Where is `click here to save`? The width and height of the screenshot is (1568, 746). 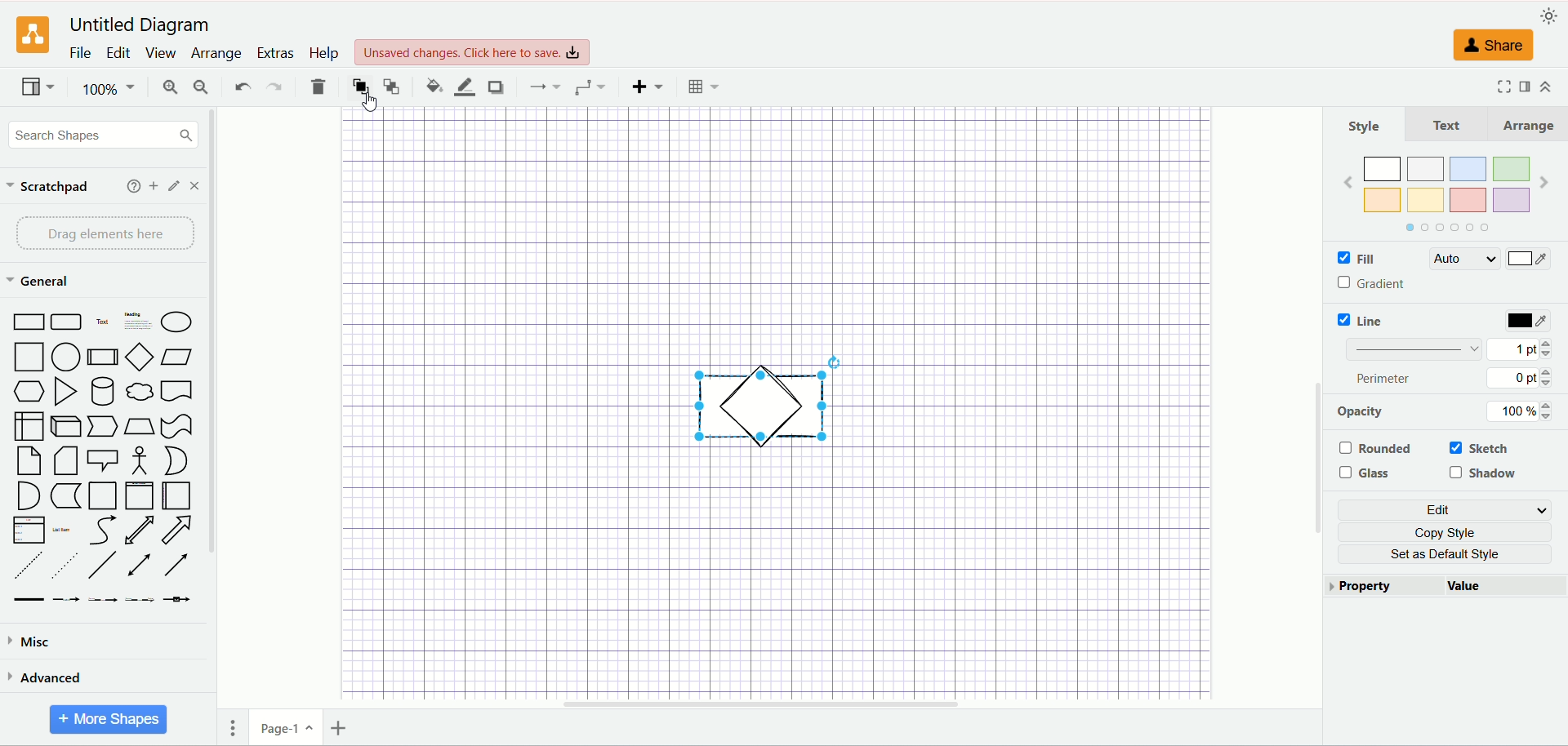
click here to save is located at coordinates (470, 52).